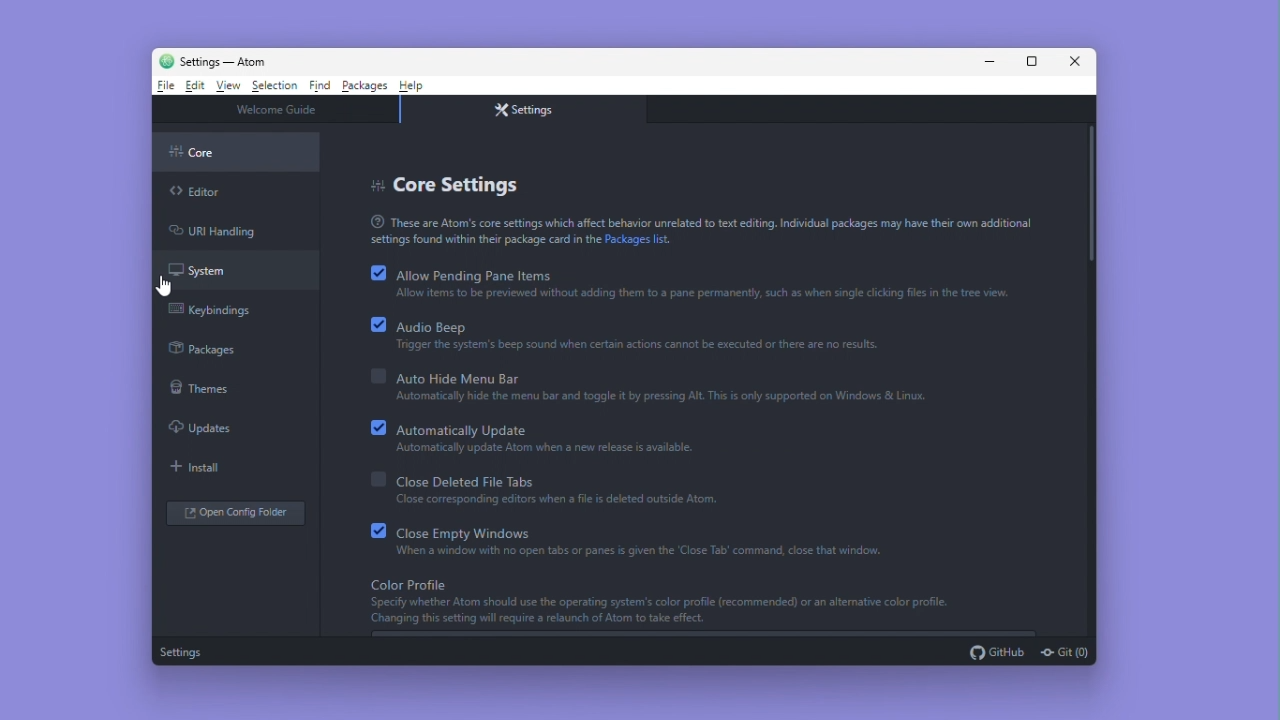 The height and width of the screenshot is (720, 1280). Describe the element at coordinates (994, 61) in the screenshot. I see `Minimise` at that location.